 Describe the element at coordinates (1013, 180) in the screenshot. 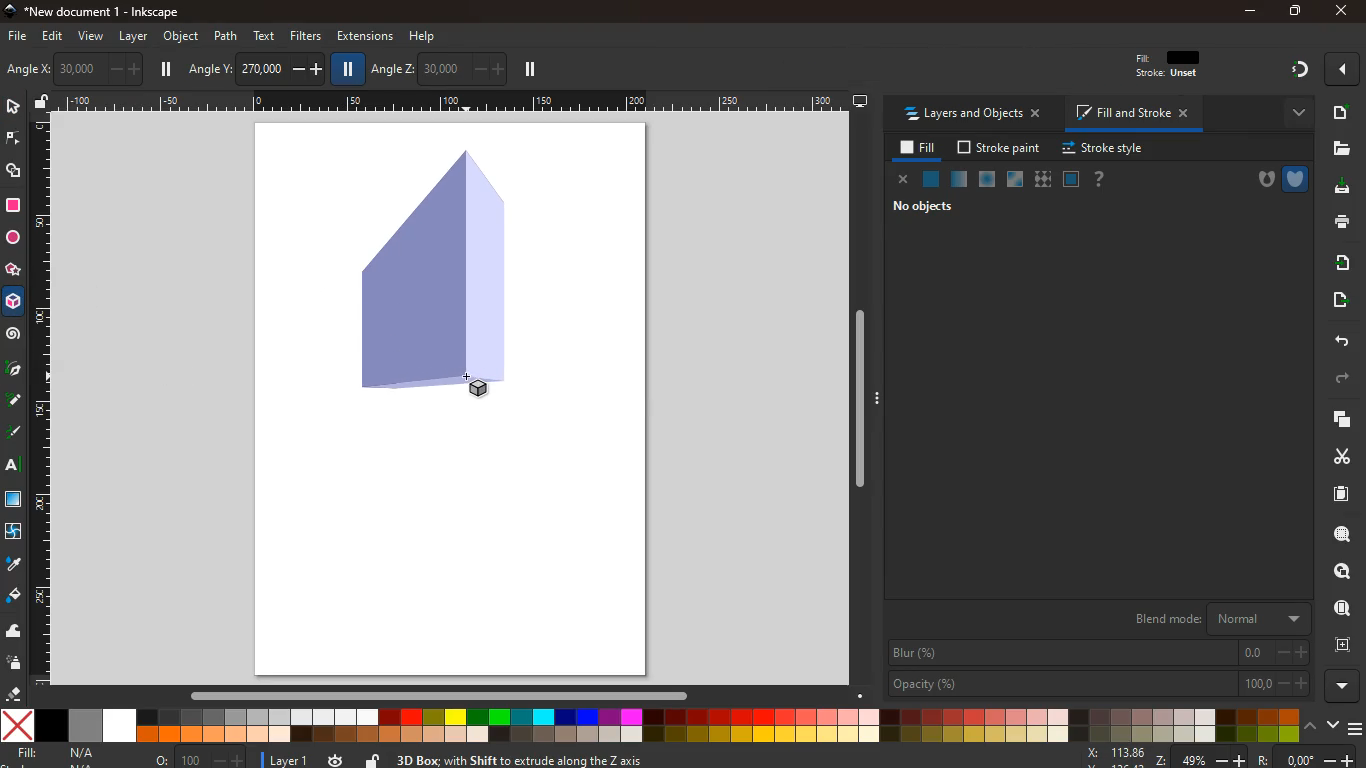

I see `glass` at that location.